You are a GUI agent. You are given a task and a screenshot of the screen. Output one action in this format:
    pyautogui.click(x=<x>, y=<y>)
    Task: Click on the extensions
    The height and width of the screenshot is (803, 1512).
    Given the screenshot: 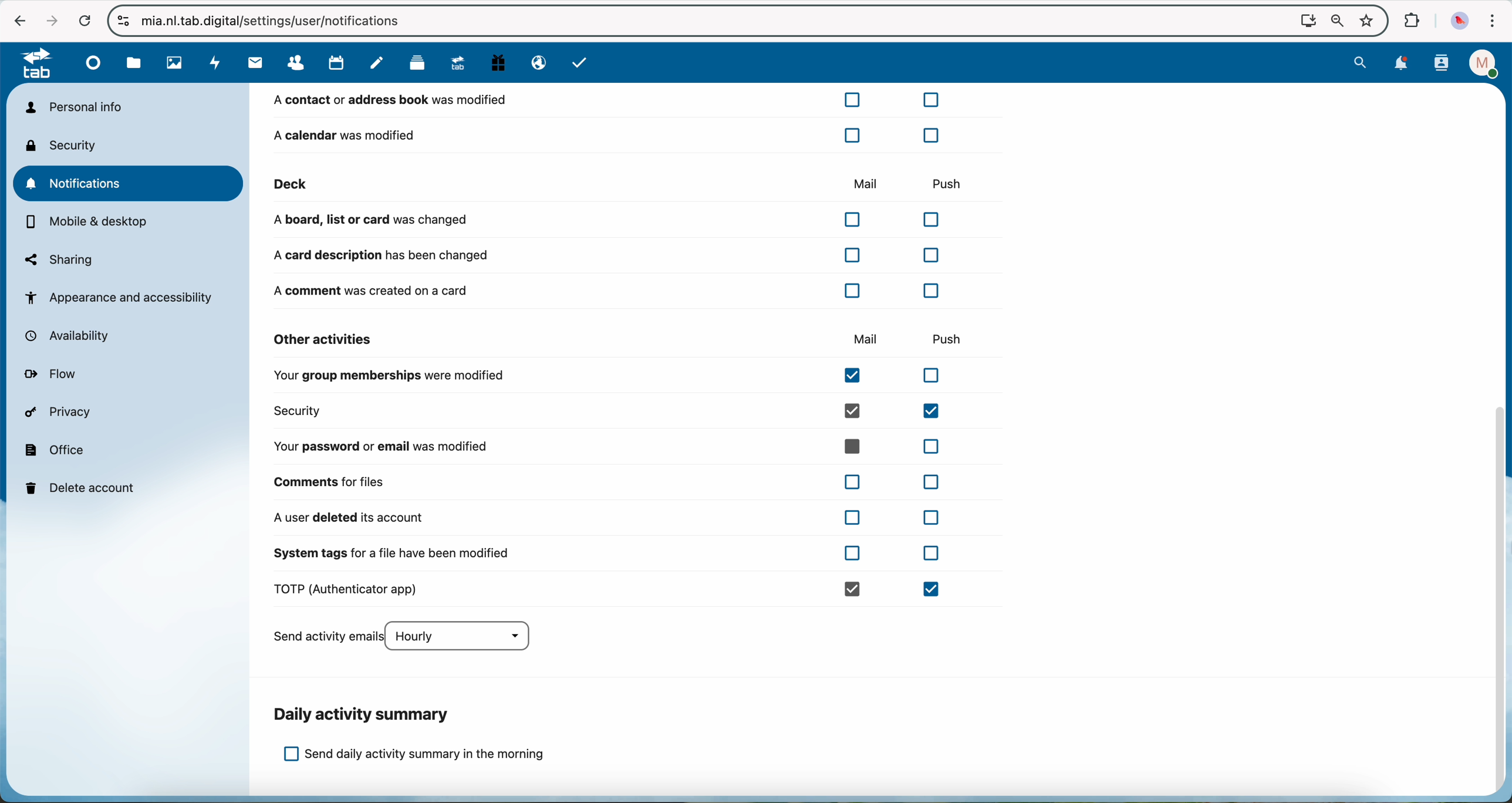 What is the action you would take?
    pyautogui.click(x=1412, y=21)
    